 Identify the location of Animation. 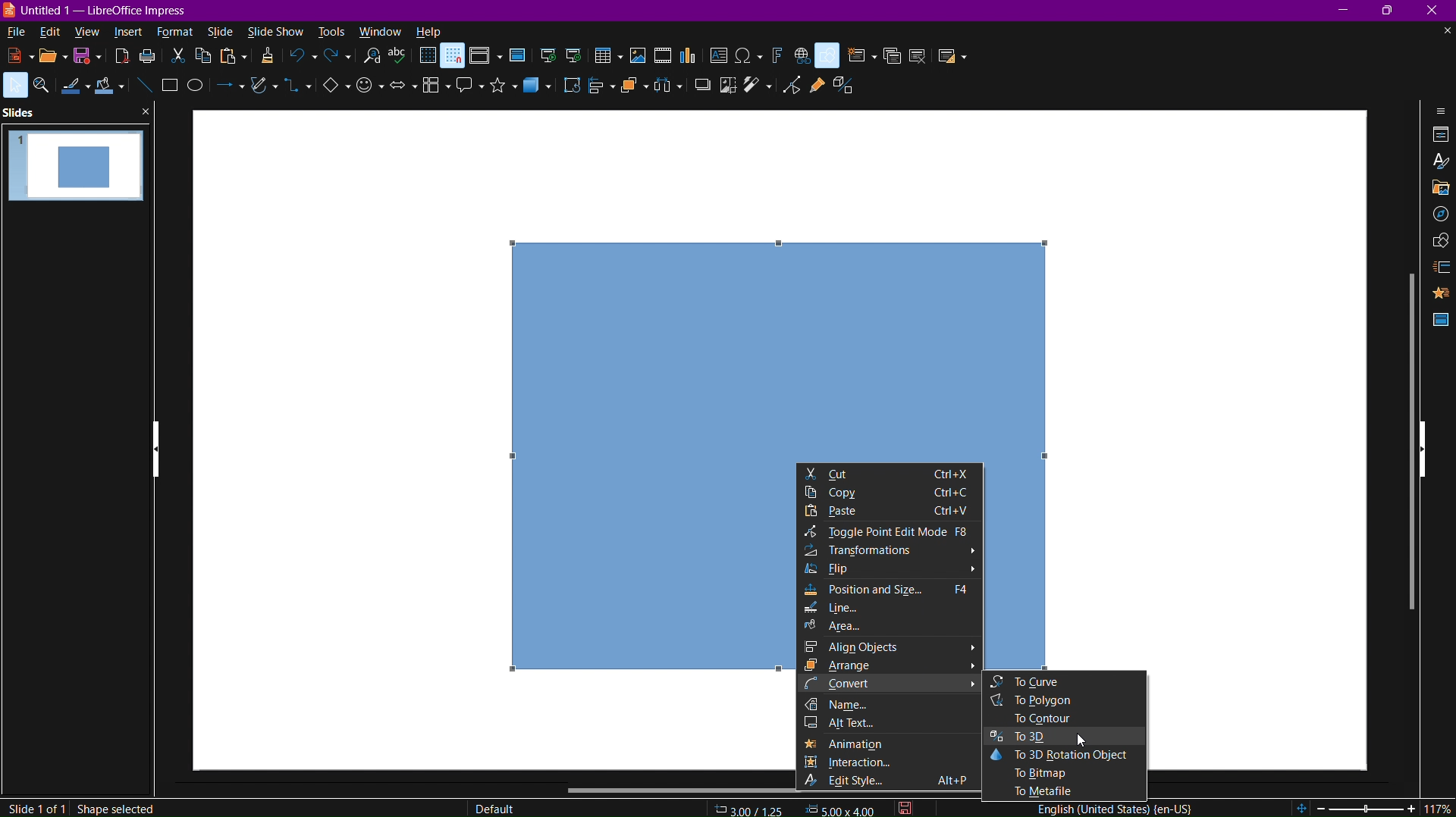
(890, 743).